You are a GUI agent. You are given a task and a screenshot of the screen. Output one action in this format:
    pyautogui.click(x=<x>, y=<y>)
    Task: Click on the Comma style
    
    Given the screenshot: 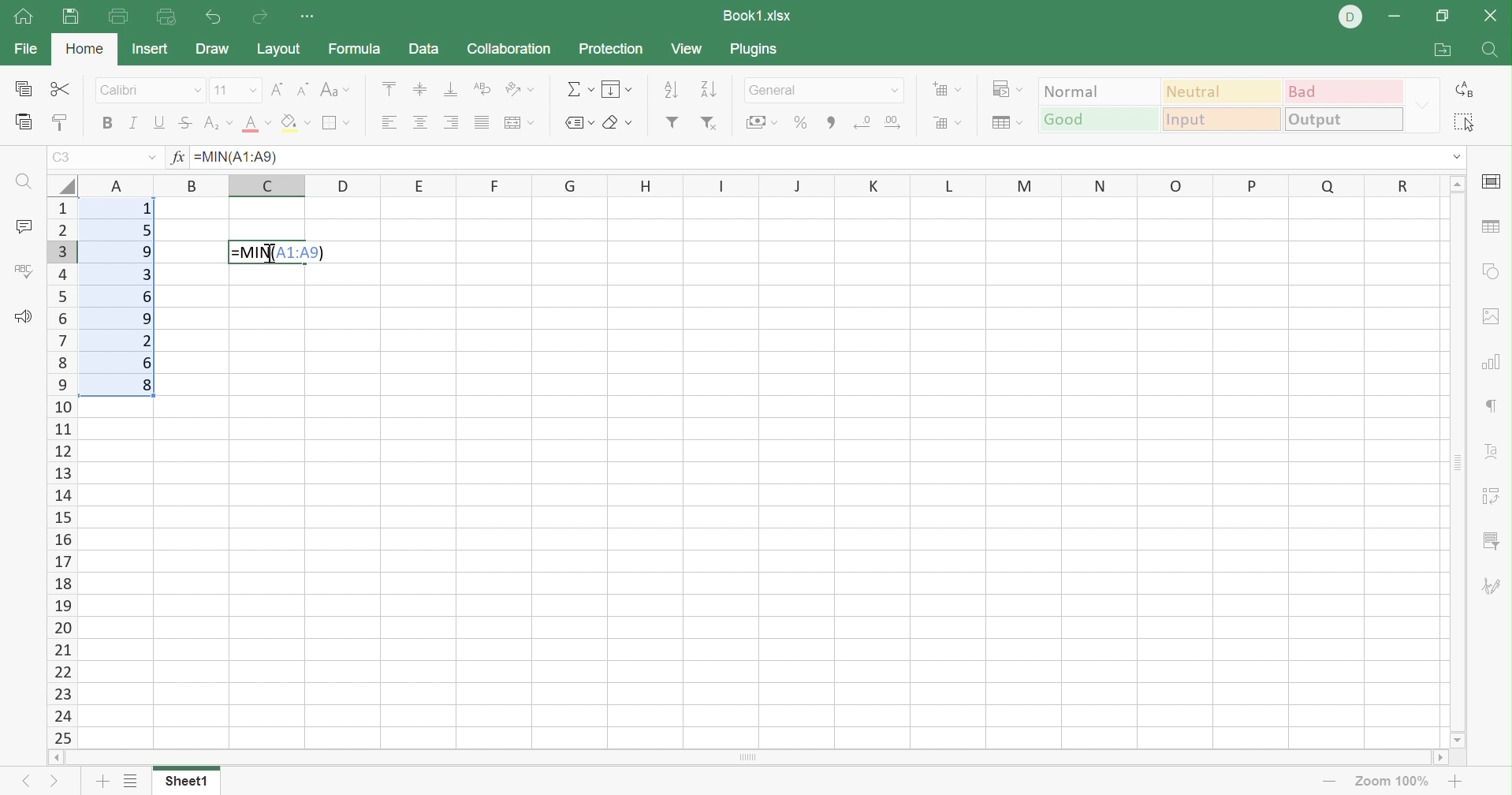 What is the action you would take?
    pyautogui.click(x=831, y=121)
    